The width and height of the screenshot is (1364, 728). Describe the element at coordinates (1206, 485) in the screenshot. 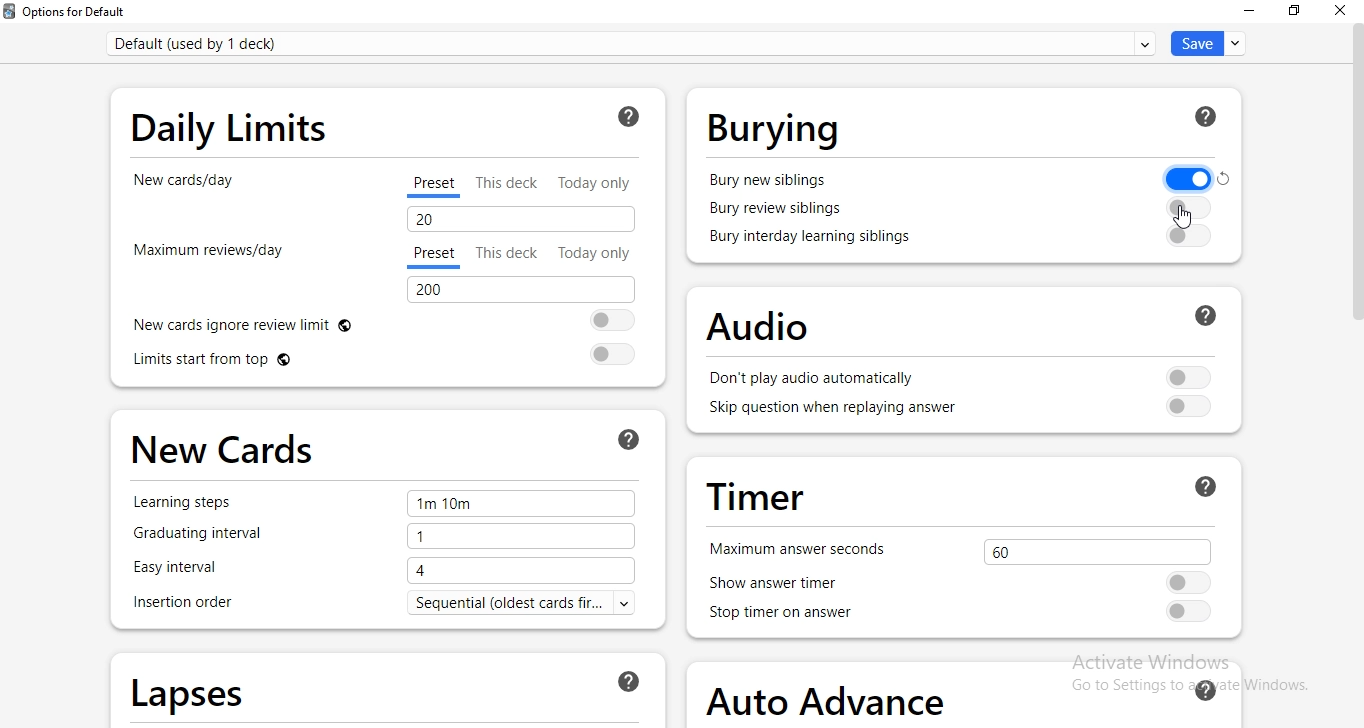

I see `ask` at that location.